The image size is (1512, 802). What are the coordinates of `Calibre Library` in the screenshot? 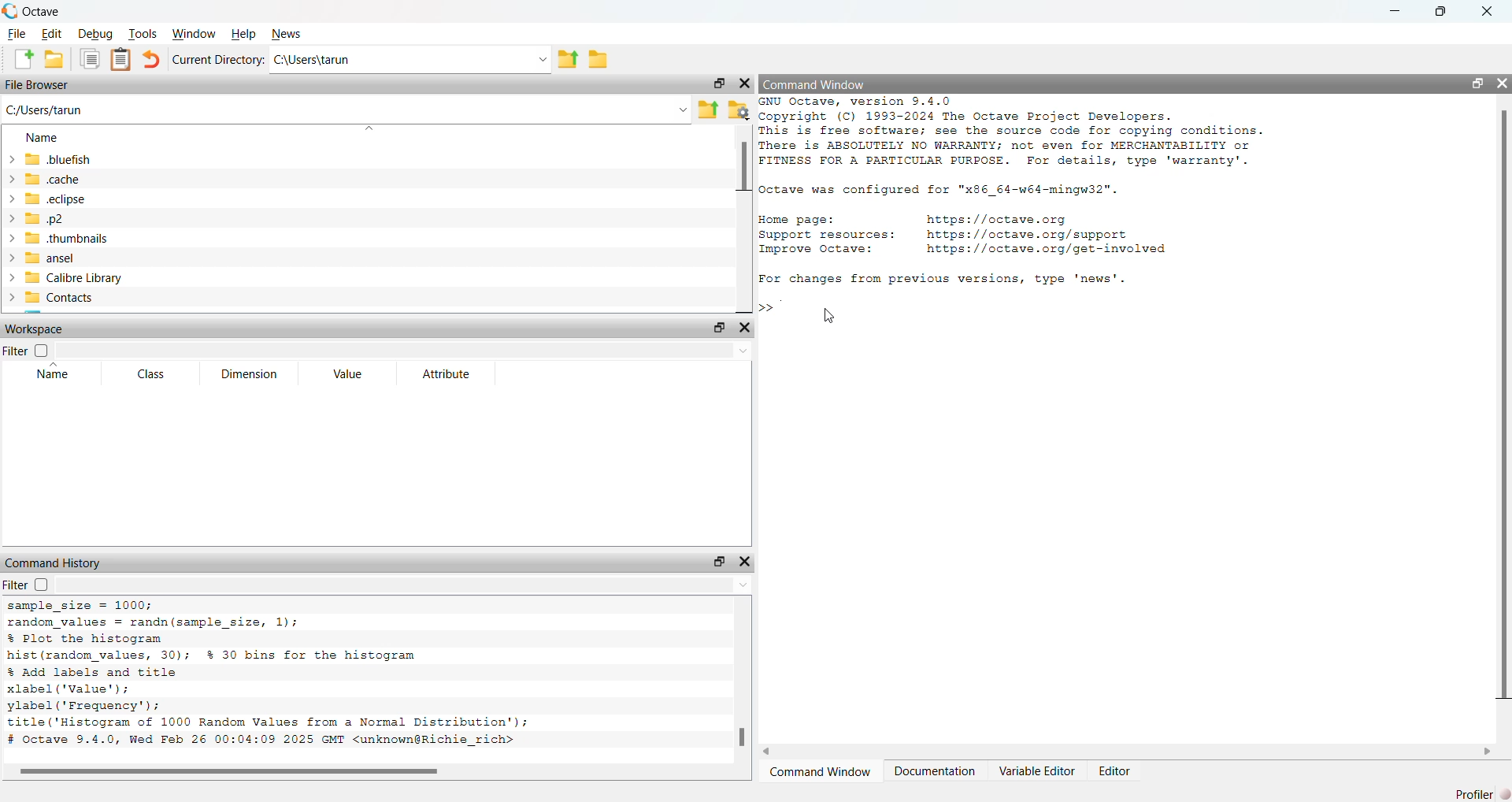 It's located at (63, 277).